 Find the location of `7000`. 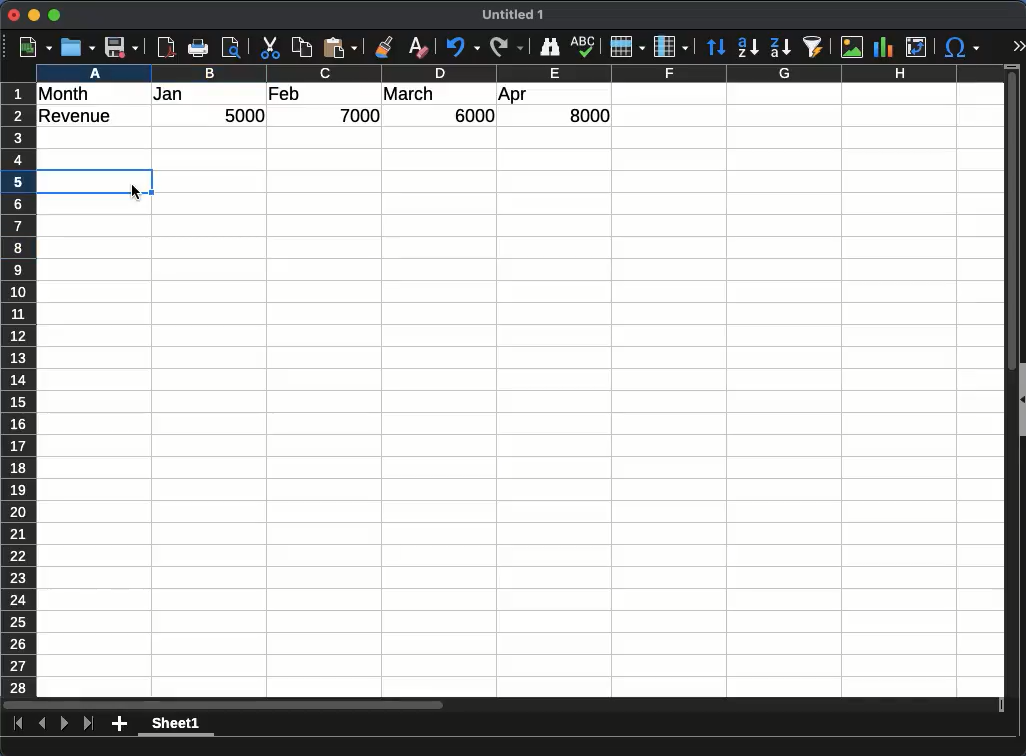

7000 is located at coordinates (360, 115).